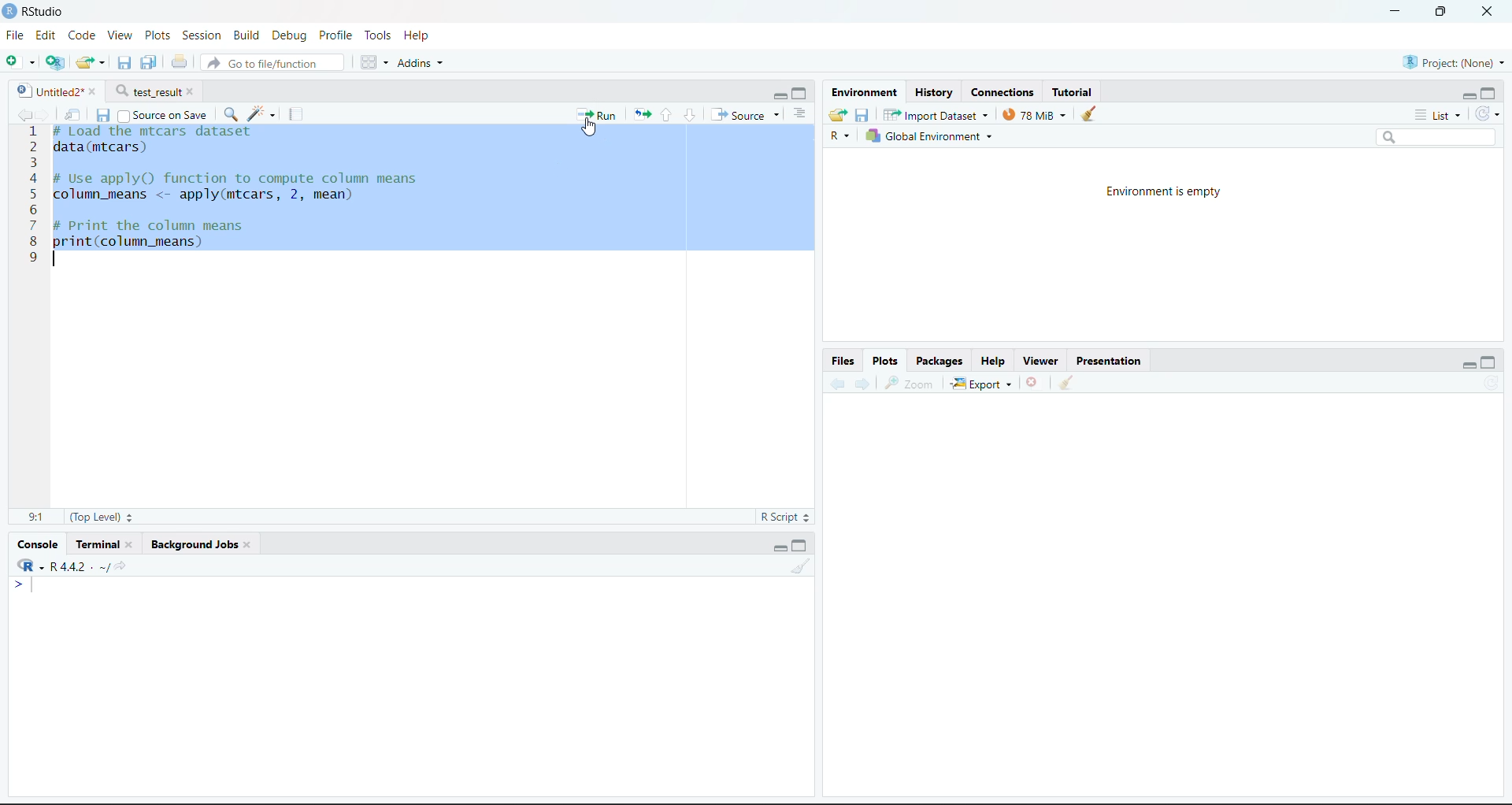 This screenshot has height=805, width=1512. What do you see at coordinates (154, 34) in the screenshot?
I see `Plots` at bounding box center [154, 34].